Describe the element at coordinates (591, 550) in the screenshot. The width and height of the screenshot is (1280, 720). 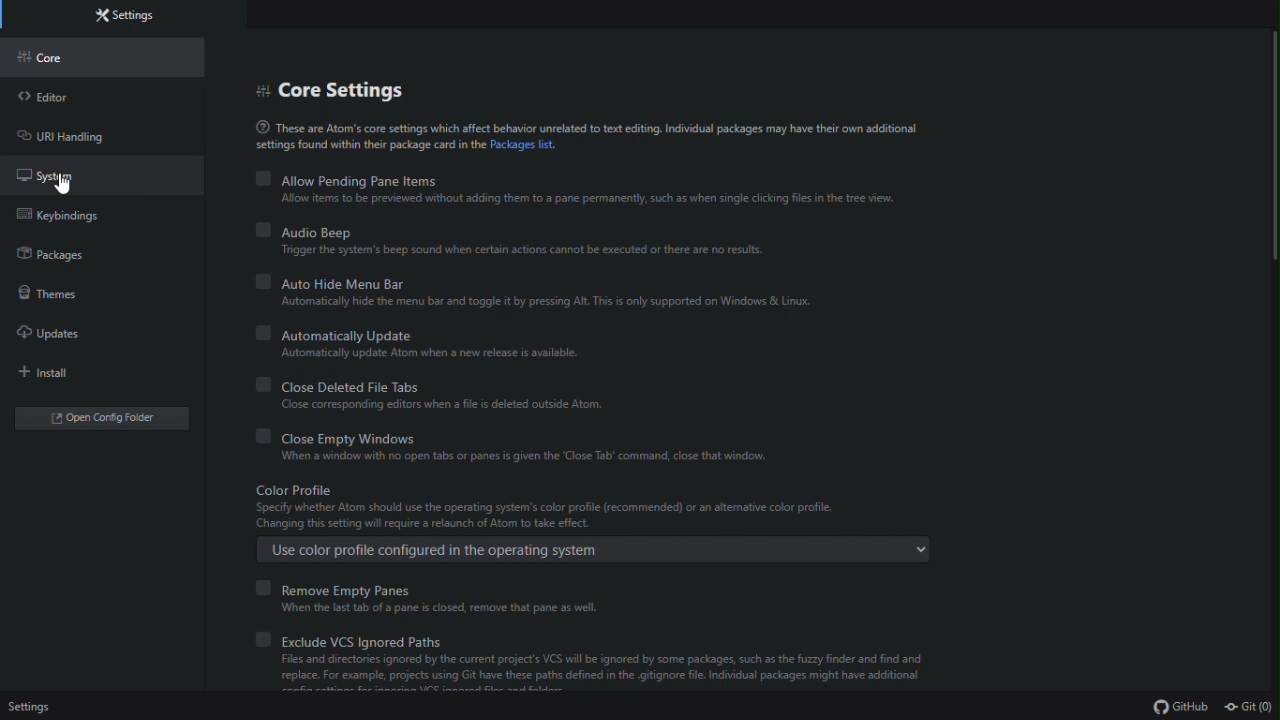
I see `Use color profile configured in the operating system` at that location.